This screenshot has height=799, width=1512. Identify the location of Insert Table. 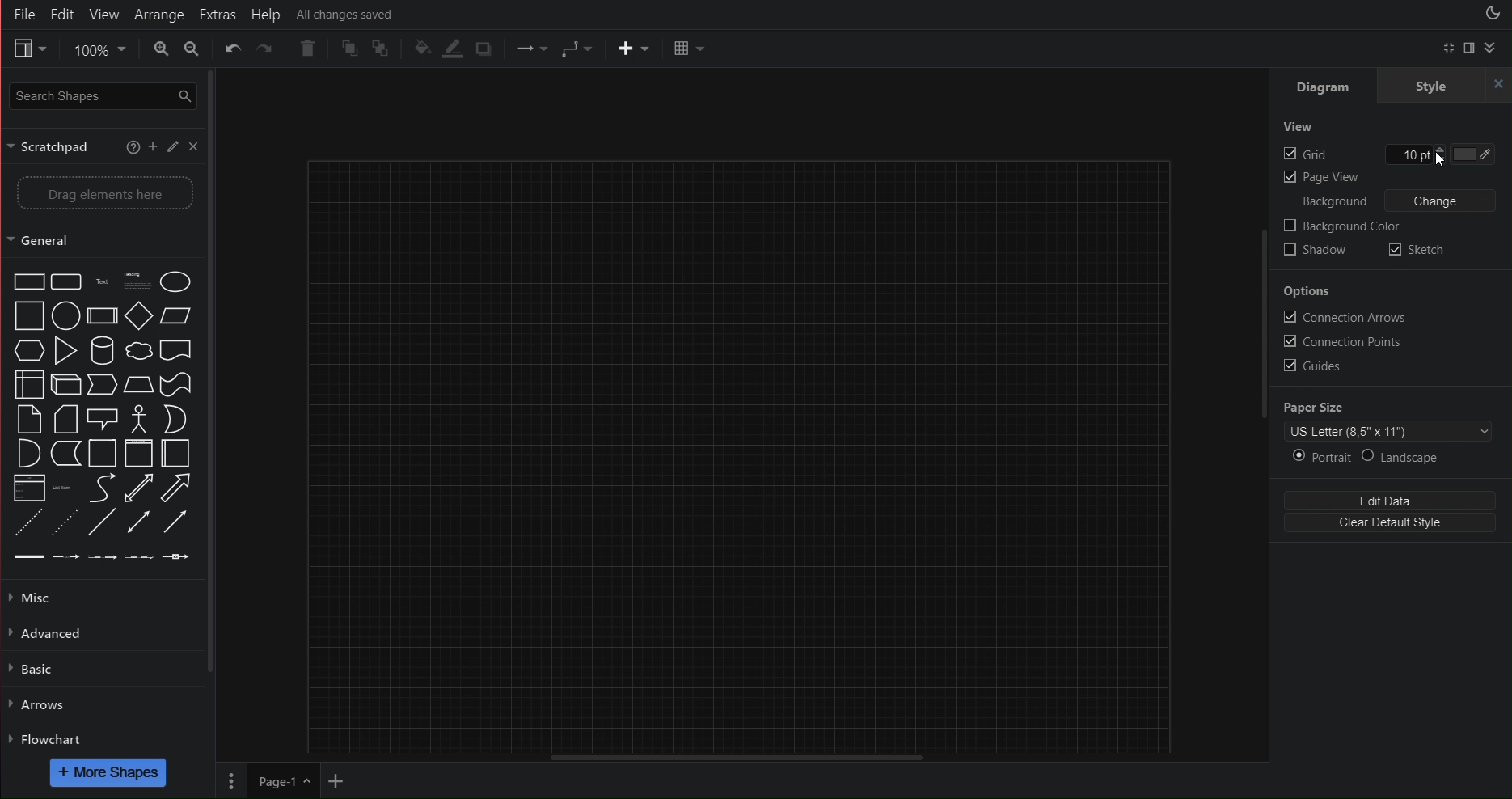
(691, 49).